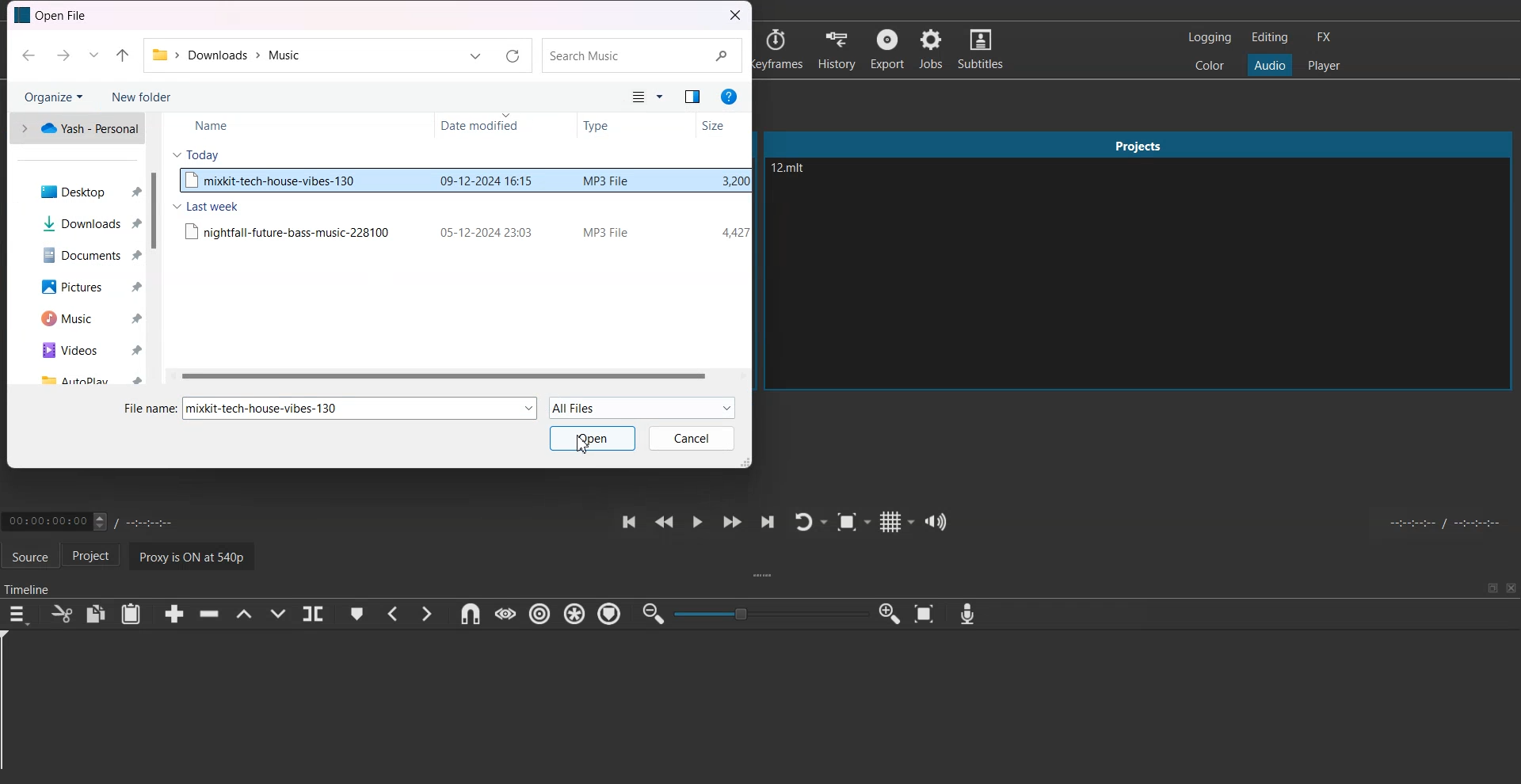 This screenshot has width=1521, height=784. Describe the element at coordinates (966, 614) in the screenshot. I see `Record audio` at that location.